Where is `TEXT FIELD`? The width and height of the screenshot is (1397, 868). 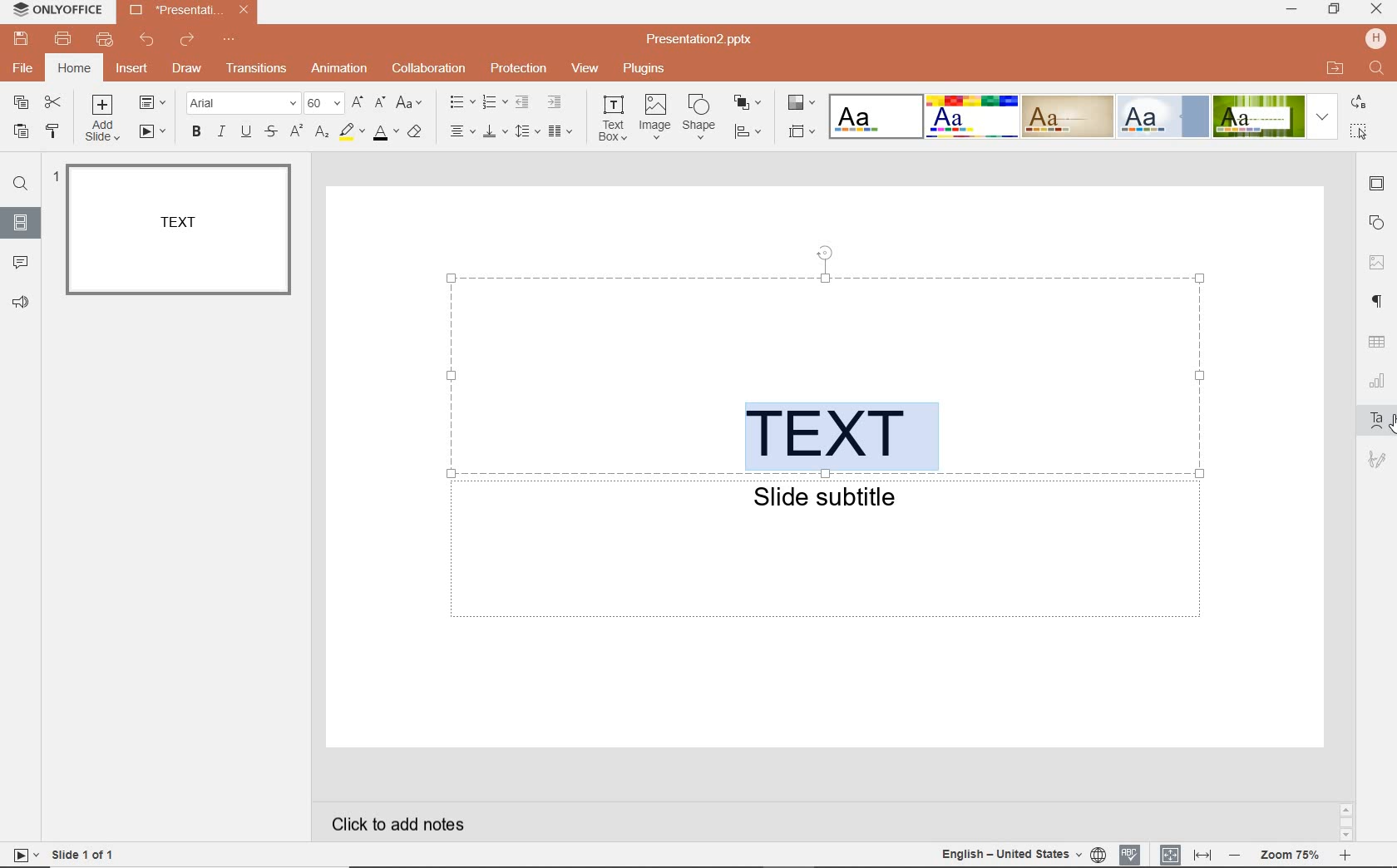
TEXT FIELD is located at coordinates (827, 369).